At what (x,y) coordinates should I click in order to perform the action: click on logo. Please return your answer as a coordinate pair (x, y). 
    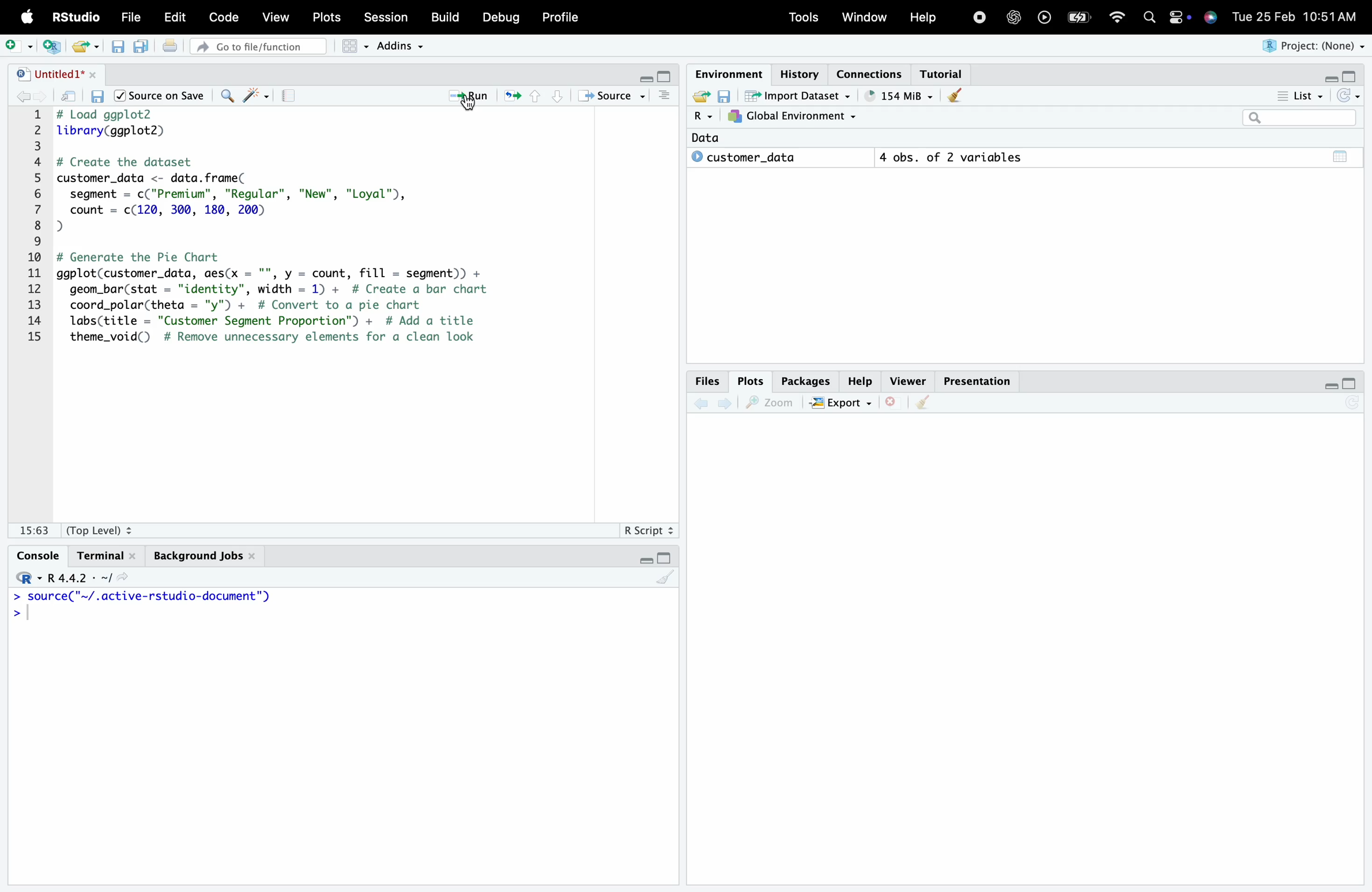
    Looking at the image, I should click on (28, 18).